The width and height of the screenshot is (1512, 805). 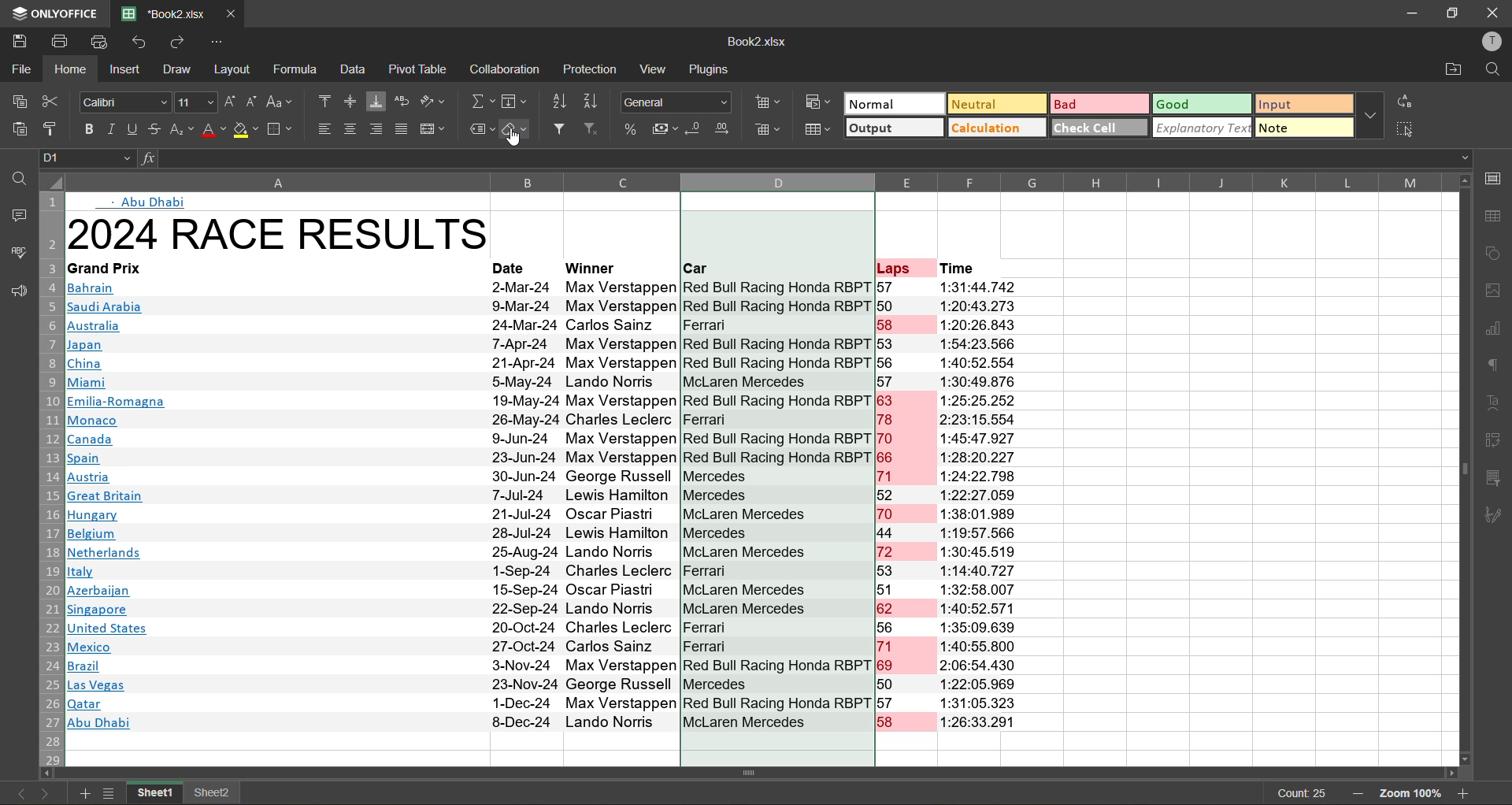 I want to click on undo, so click(x=137, y=42).